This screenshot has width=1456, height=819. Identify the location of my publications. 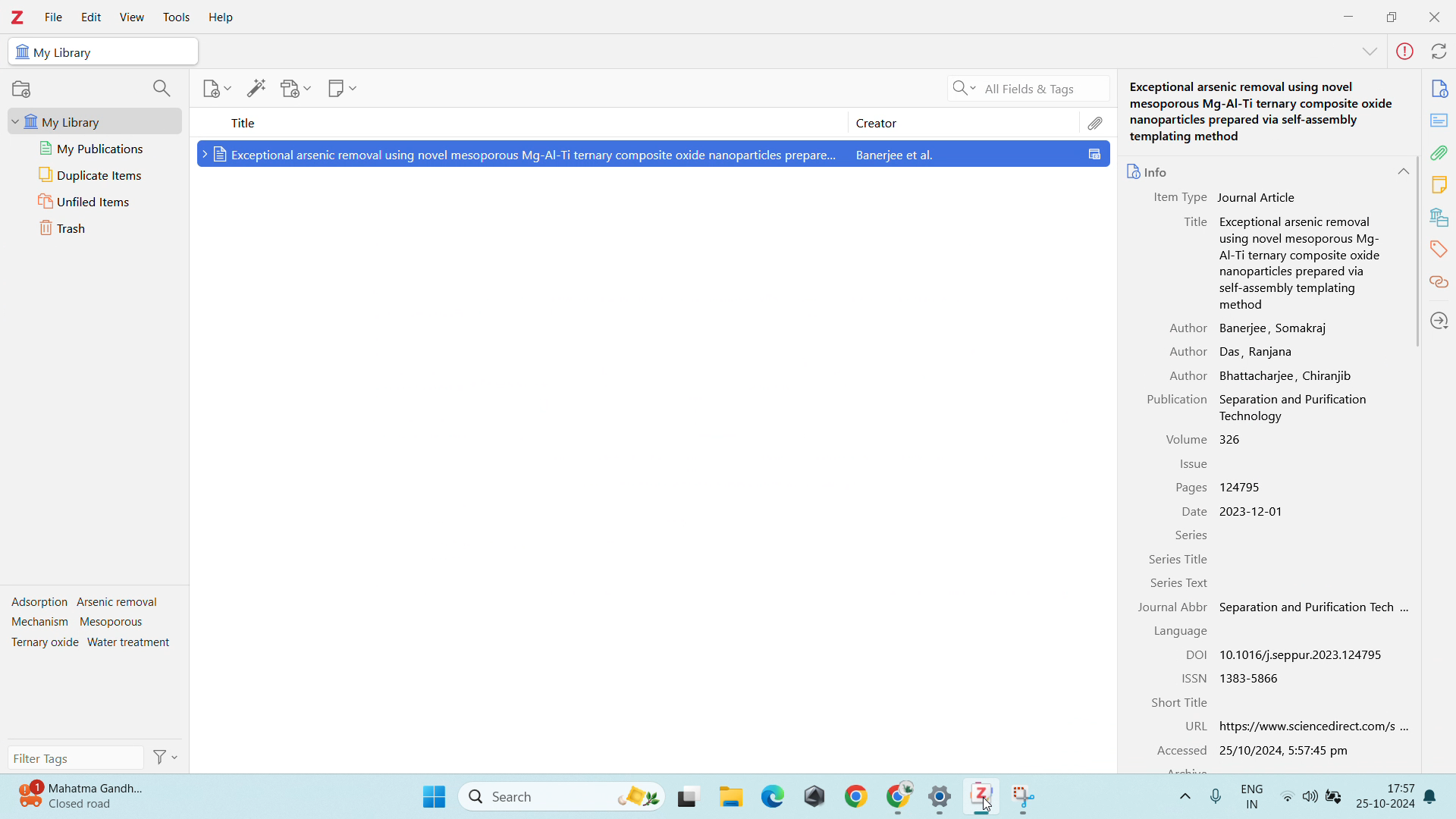
(94, 149).